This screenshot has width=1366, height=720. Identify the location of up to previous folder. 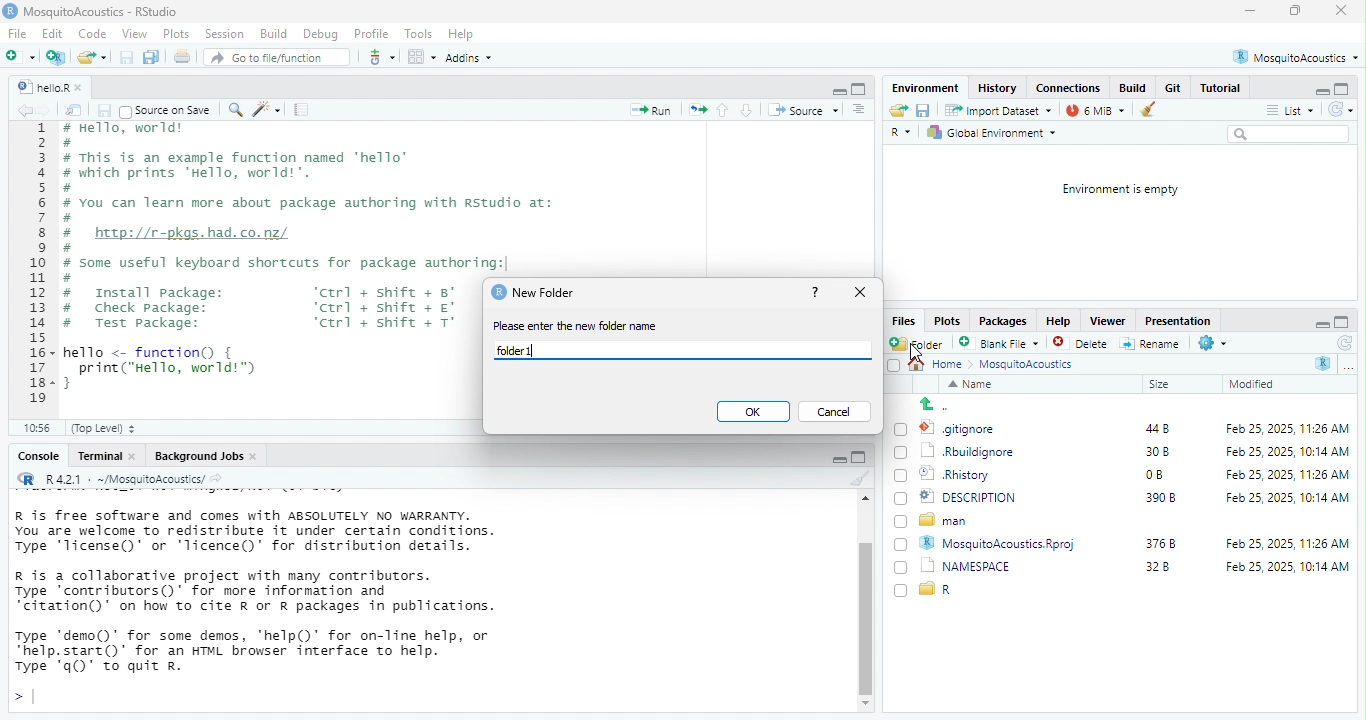
(940, 406).